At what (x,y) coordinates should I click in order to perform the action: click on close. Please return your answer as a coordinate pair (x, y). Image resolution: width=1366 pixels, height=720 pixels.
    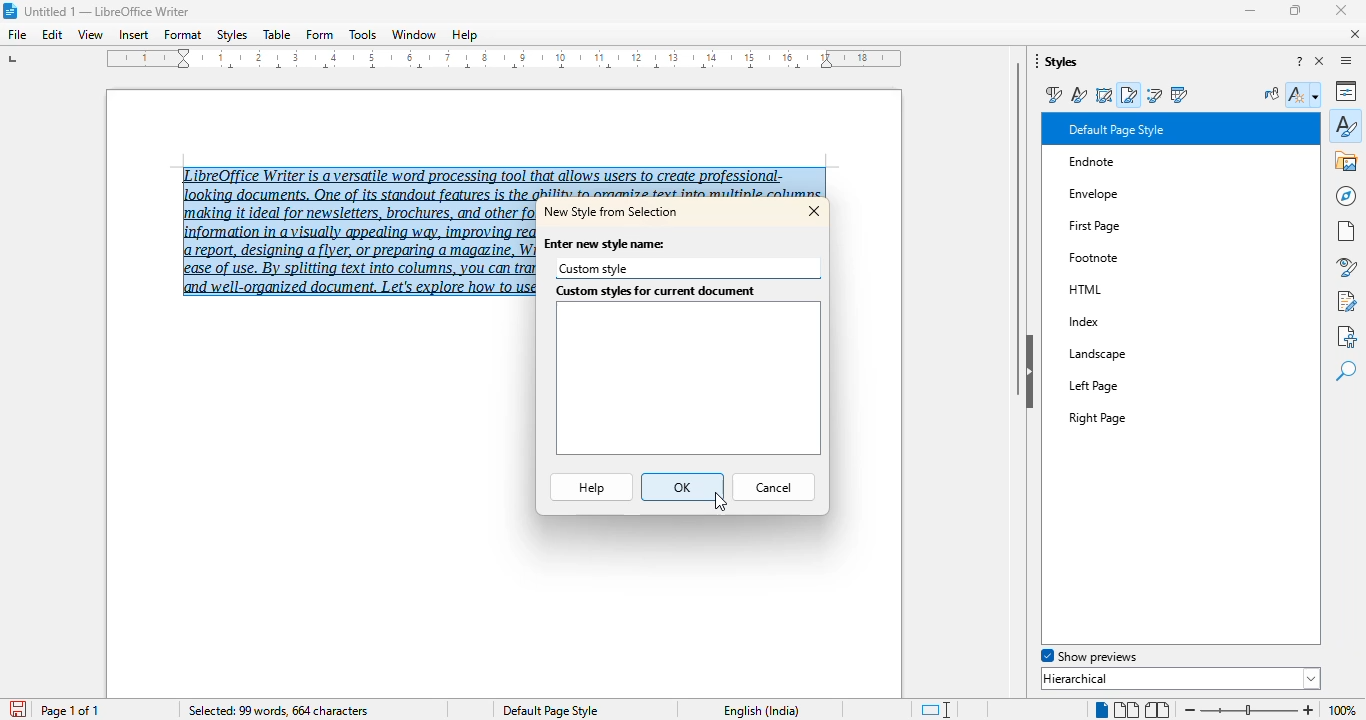
    Looking at the image, I should click on (814, 210).